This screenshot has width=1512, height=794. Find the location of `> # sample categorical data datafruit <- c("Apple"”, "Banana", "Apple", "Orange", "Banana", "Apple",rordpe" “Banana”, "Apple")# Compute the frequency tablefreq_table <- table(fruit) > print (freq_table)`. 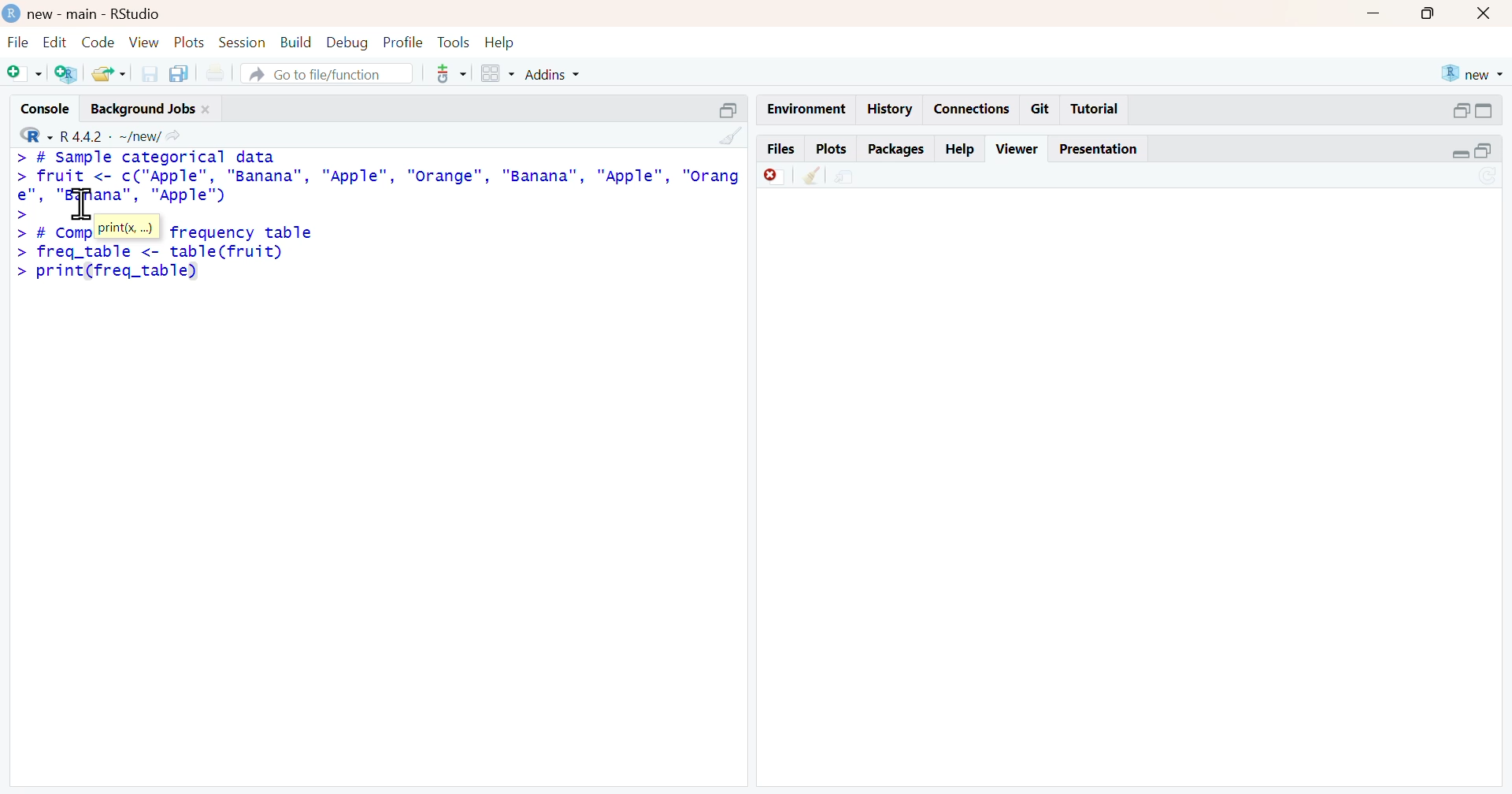

> # sample categorical data datafruit <- c("Apple"”, "Banana", "Apple", "Orange", "Banana", "Apple",rordpe" “Banana”, "Apple")# Compute the frequency tablefreq_table <- table(fruit) > print (freq_table) is located at coordinates (380, 216).